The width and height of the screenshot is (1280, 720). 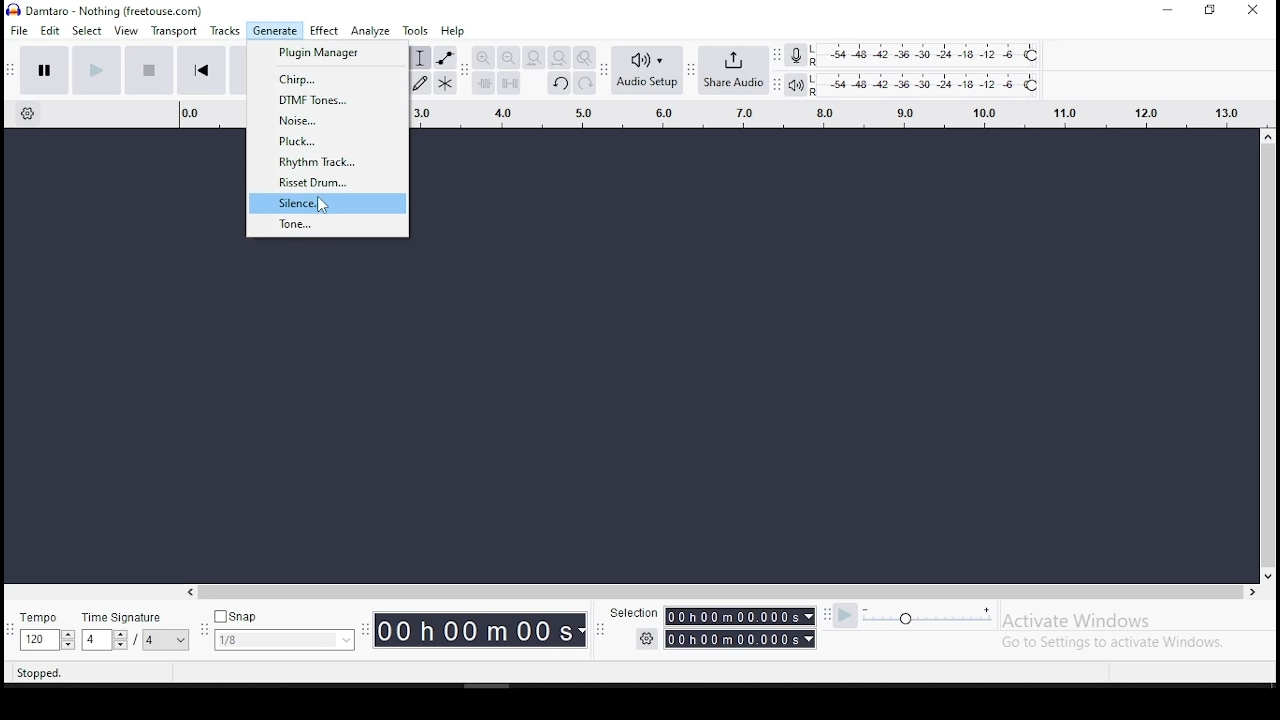 I want to click on envelope tool, so click(x=446, y=57).